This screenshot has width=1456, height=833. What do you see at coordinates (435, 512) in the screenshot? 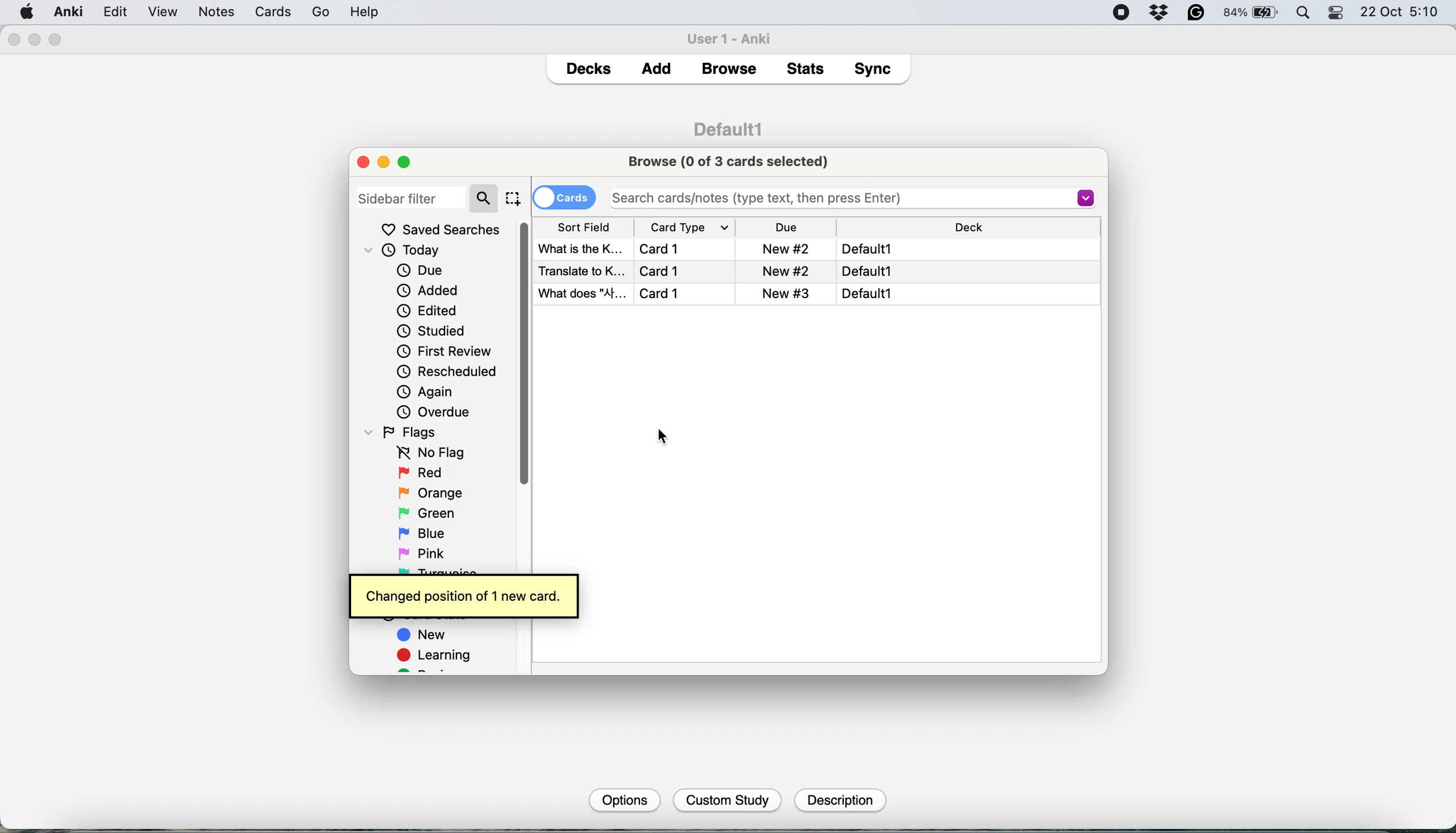
I see `green` at bounding box center [435, 512].